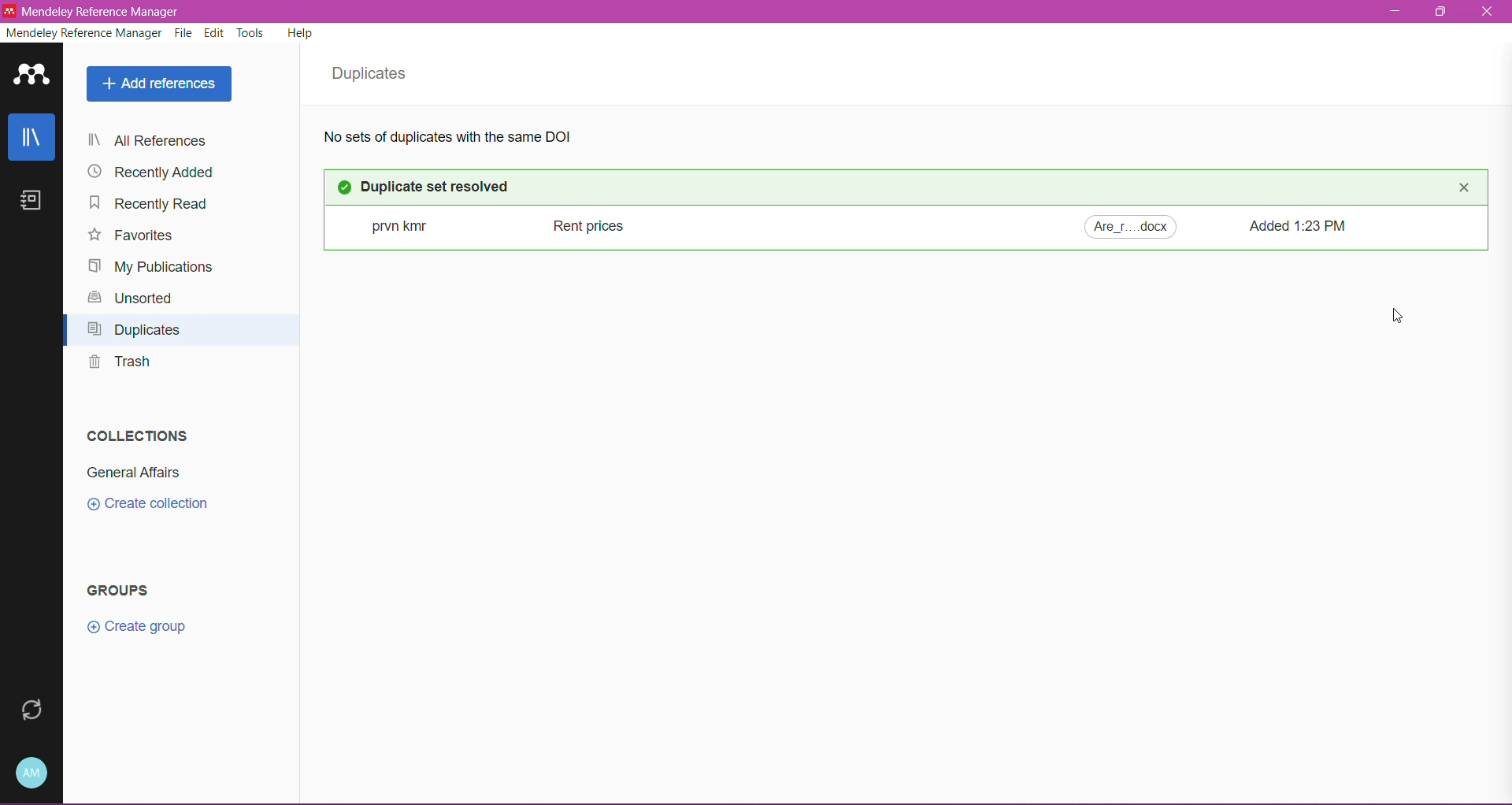  Describe the element at coordinates (119, 365) in the screenshot. I see `Trash` at that location.